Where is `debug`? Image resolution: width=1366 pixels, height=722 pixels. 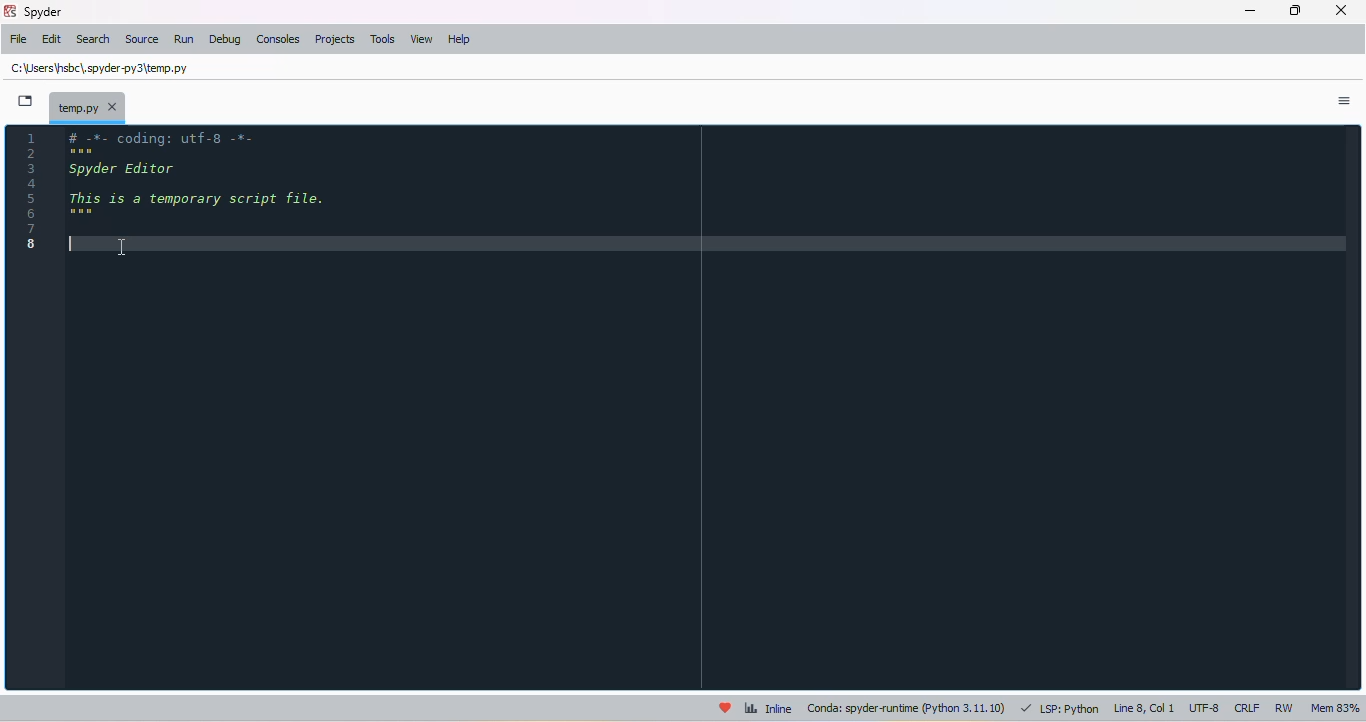
debug is located at coordinates (225, 39).